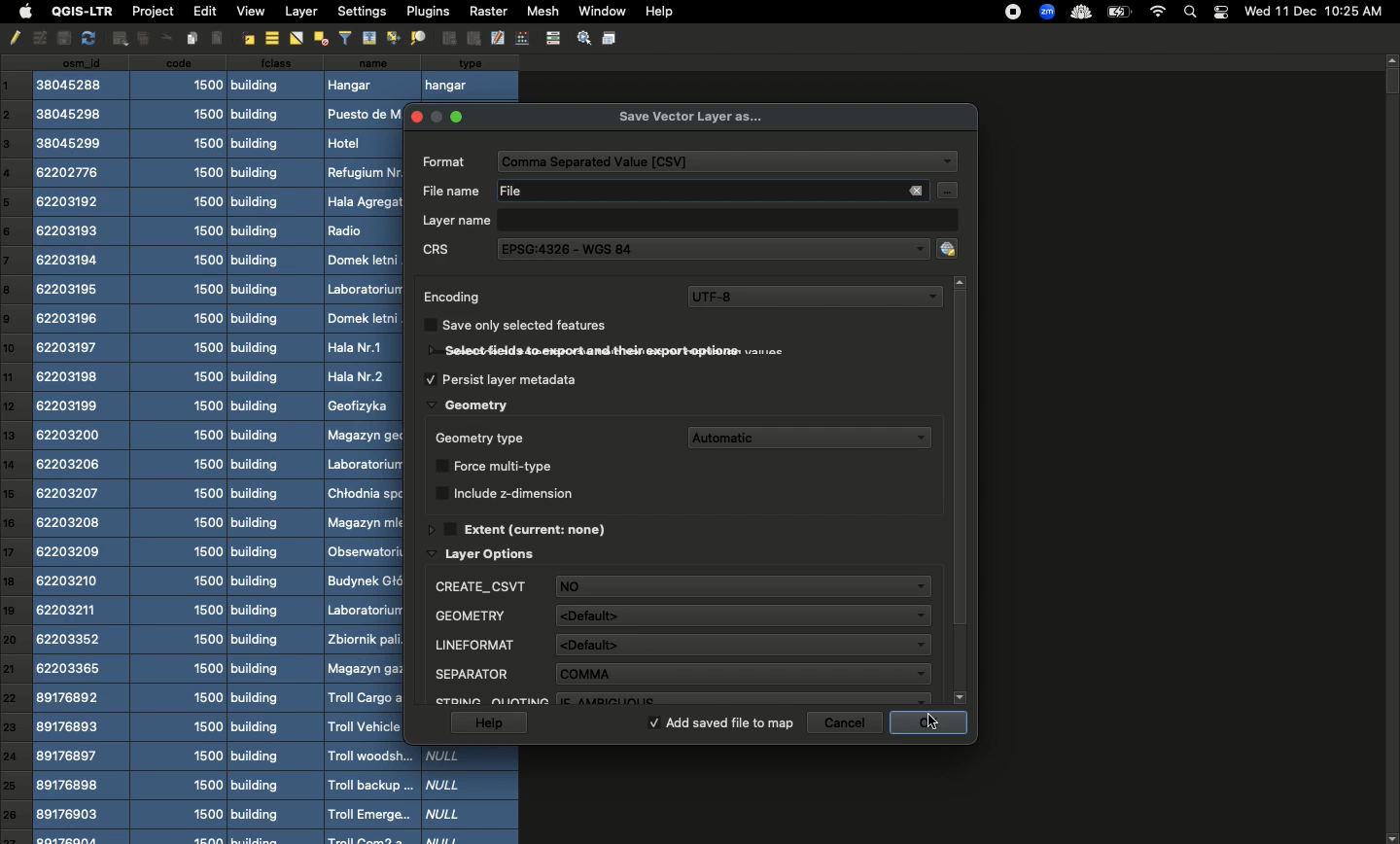 Image resolution: width=1400 pixels, height=844 pixels. Describe the element at coordinates (118, 38) in the screenshot. I see `Insert Ellipse` at that location.